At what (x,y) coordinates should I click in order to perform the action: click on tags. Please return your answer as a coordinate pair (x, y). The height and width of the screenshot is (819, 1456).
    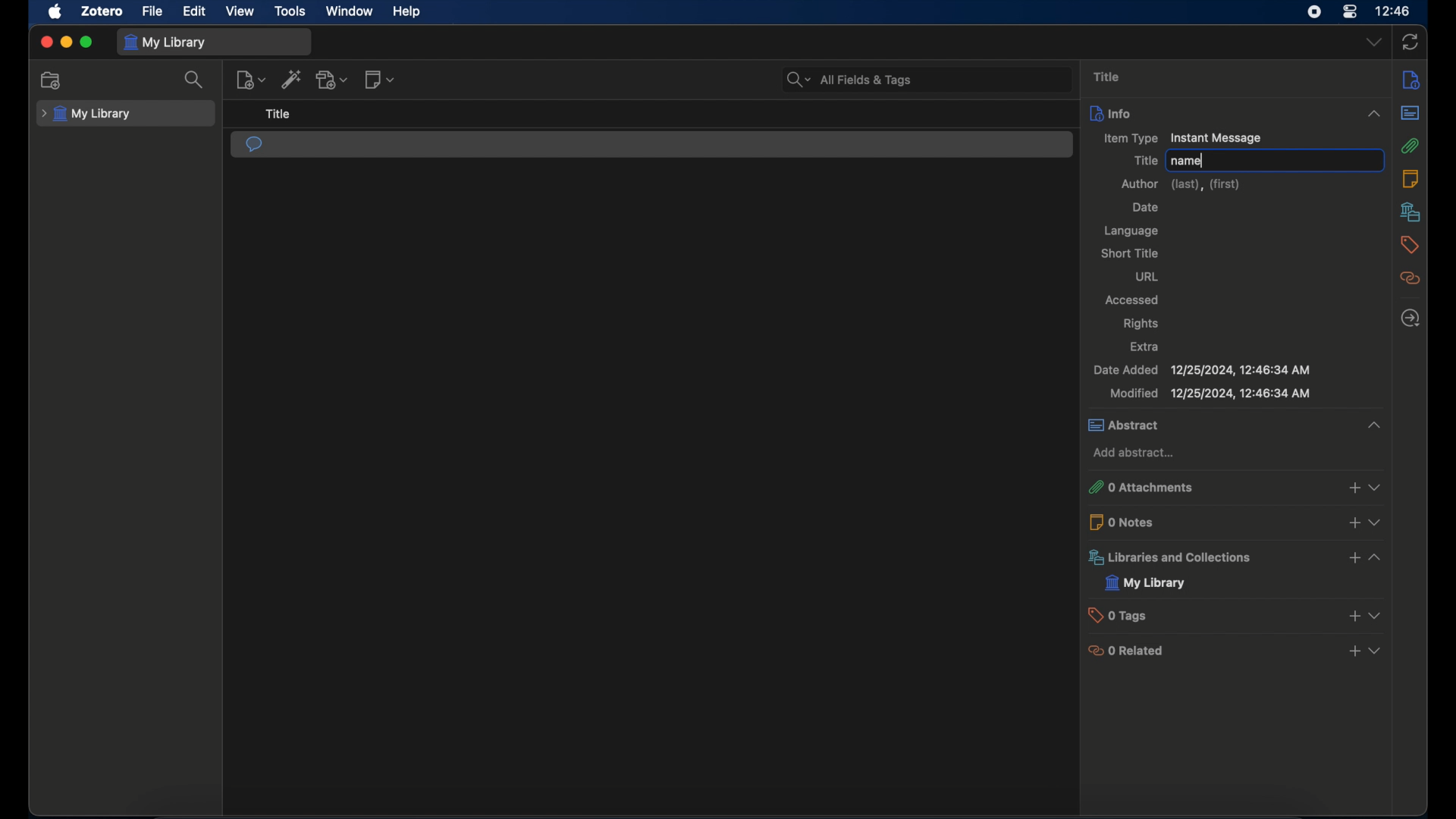
    Looking at the image, I should click on (1410, 245).